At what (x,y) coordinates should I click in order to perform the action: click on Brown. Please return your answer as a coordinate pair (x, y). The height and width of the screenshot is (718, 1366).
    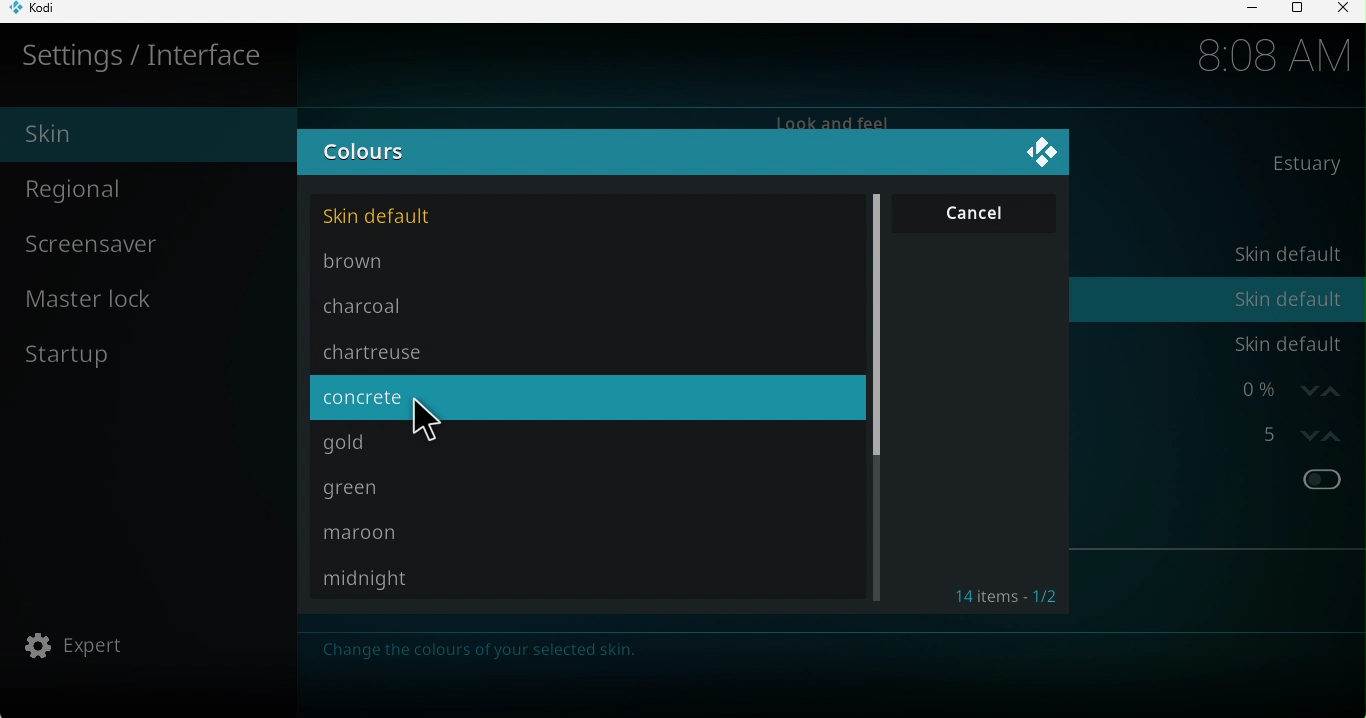
    Looking at the image, I should click on (581, 260).